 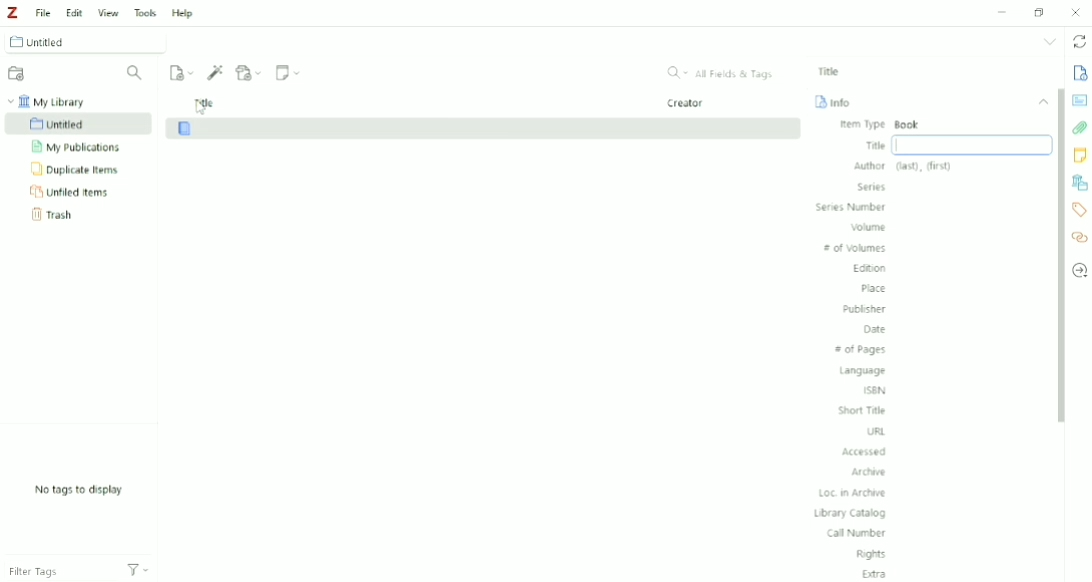 I want to click on Sync, so click(x=1078, y=41).